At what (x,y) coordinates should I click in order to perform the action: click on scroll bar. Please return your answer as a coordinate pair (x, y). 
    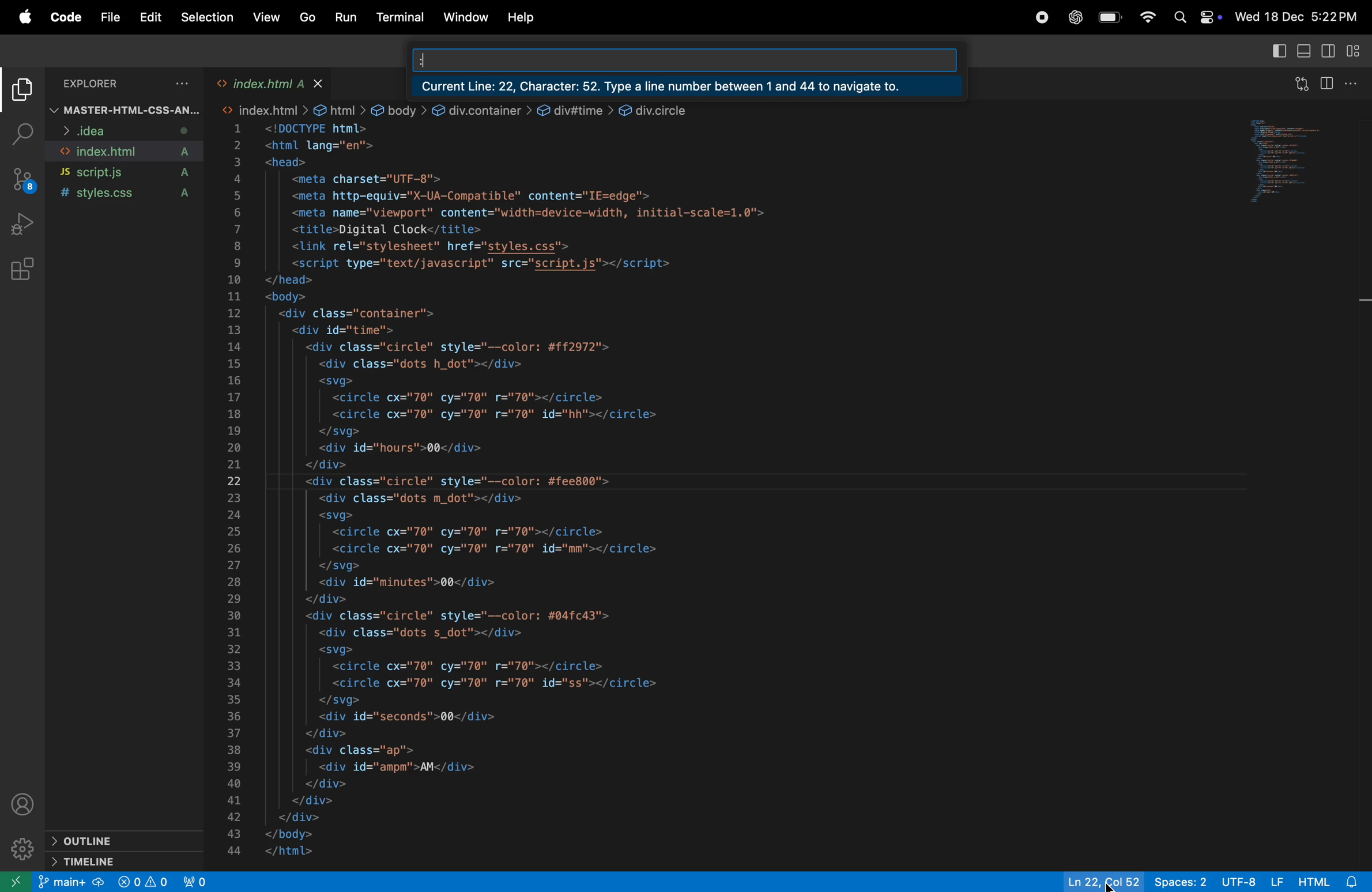
    Looking at the image, I should click on (1362, 281).